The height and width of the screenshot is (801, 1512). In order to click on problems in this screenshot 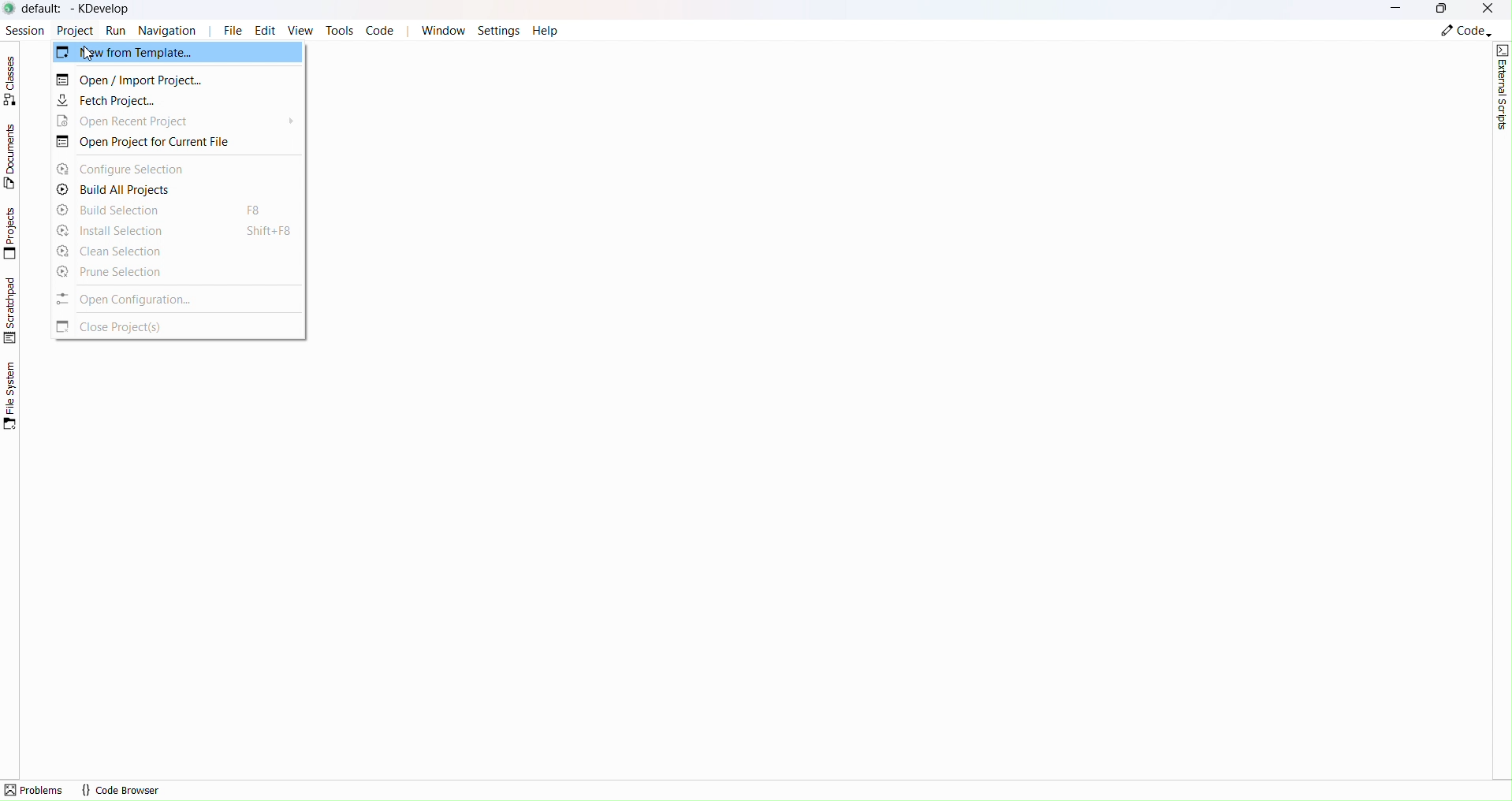, I will do `click(35, 790)`.